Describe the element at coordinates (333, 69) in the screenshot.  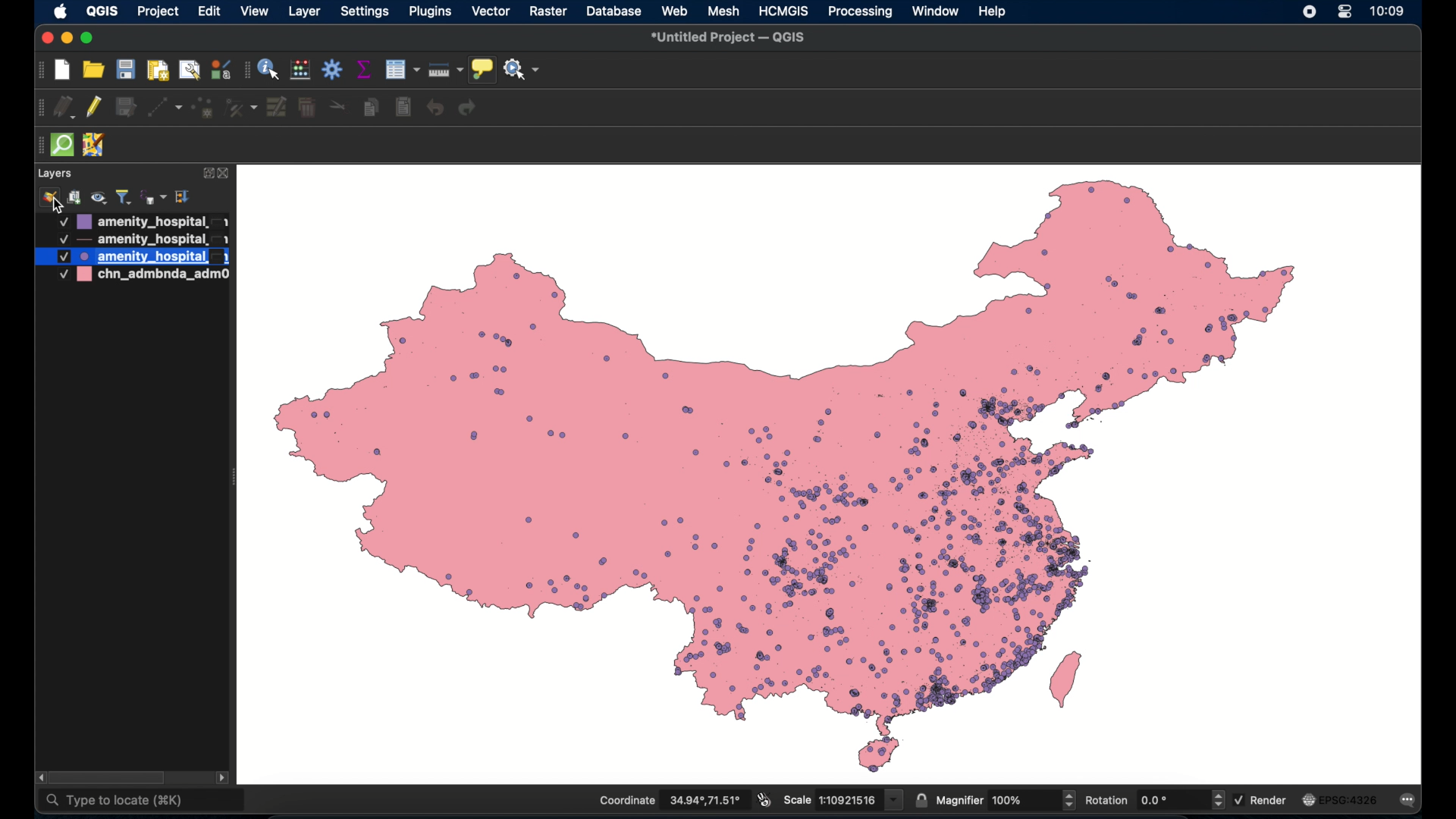
I see `toolbox` at that location.